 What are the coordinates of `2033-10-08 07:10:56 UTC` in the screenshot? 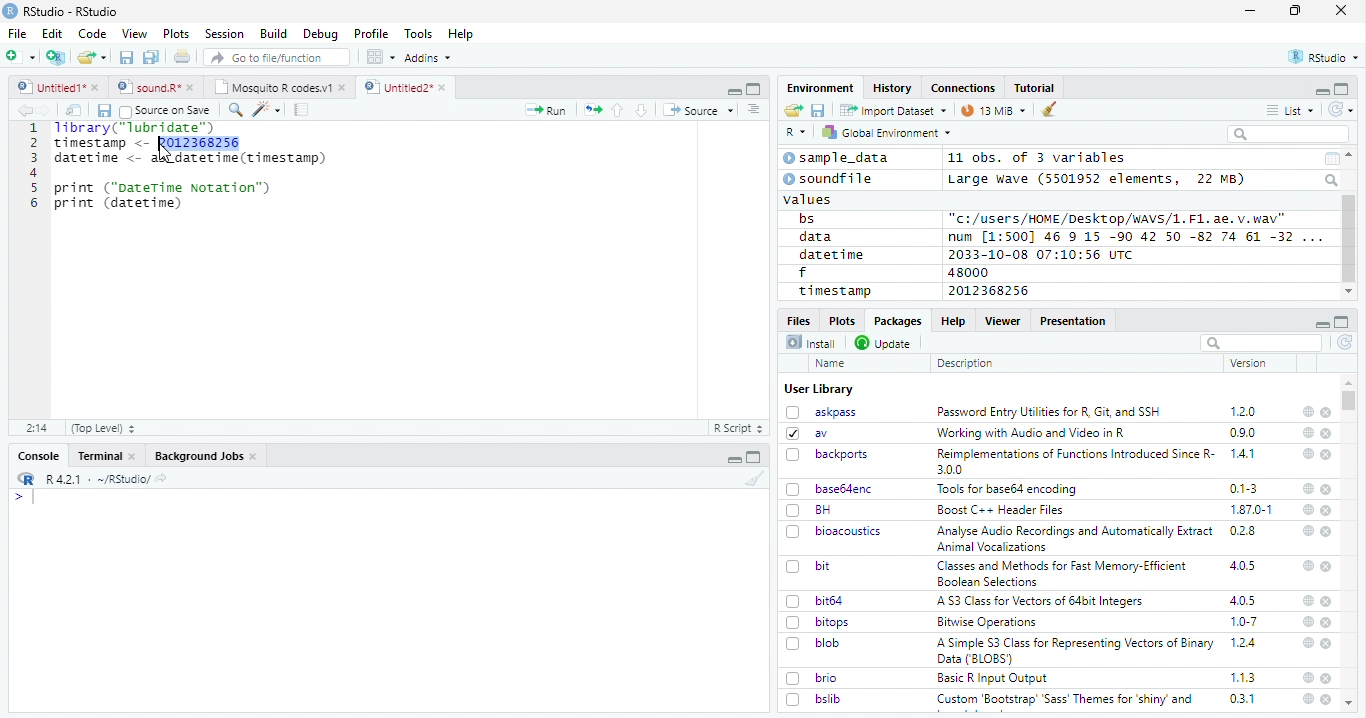 It's located at (1042, 254).